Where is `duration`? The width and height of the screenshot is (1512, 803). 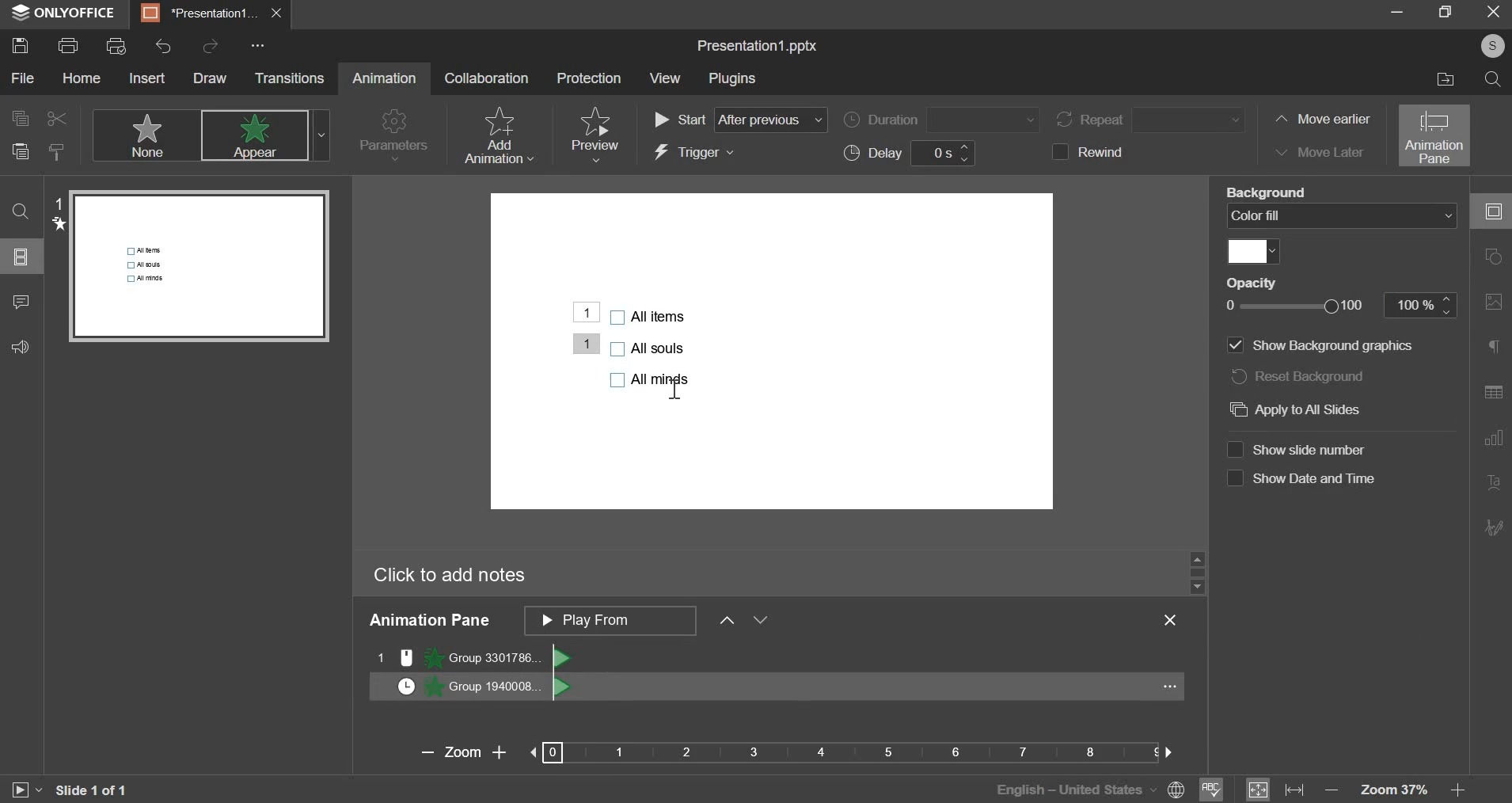
duration is located at coordinates (940, 120).